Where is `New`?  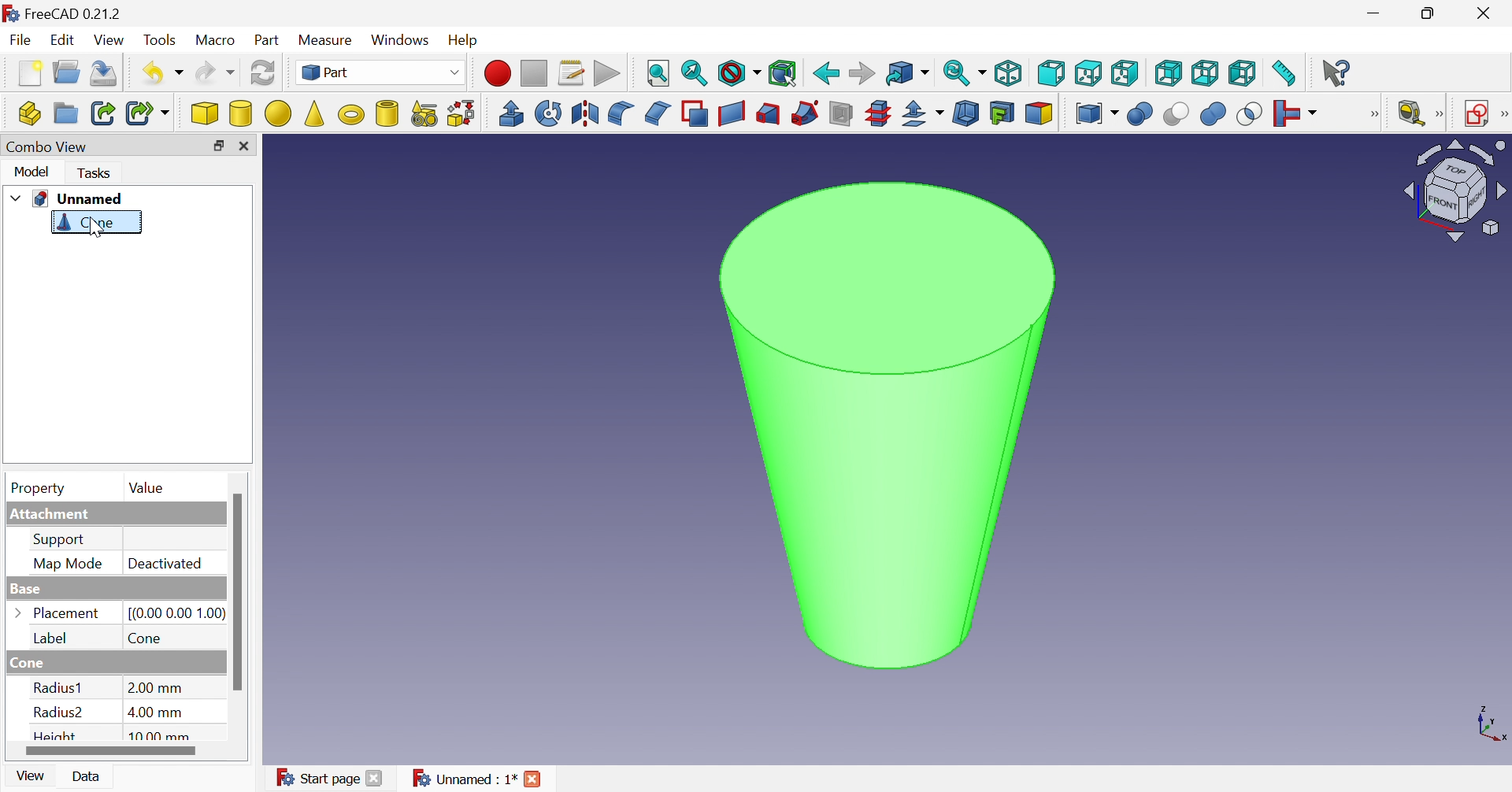 New is located at coordinates (26, 73).